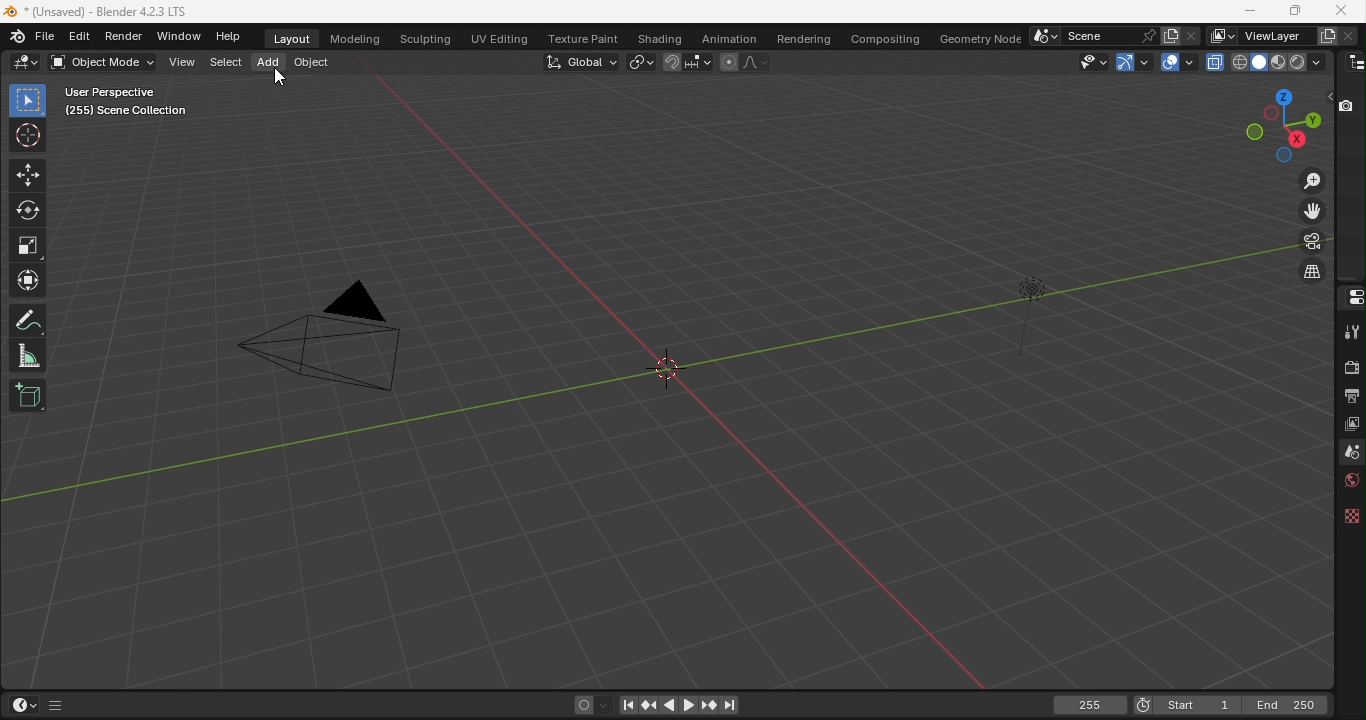 The width and height of the screenshot is (1366, 720). Describe the element at coordinates (266, 60) in the screenshot. I see `Add` at that location.